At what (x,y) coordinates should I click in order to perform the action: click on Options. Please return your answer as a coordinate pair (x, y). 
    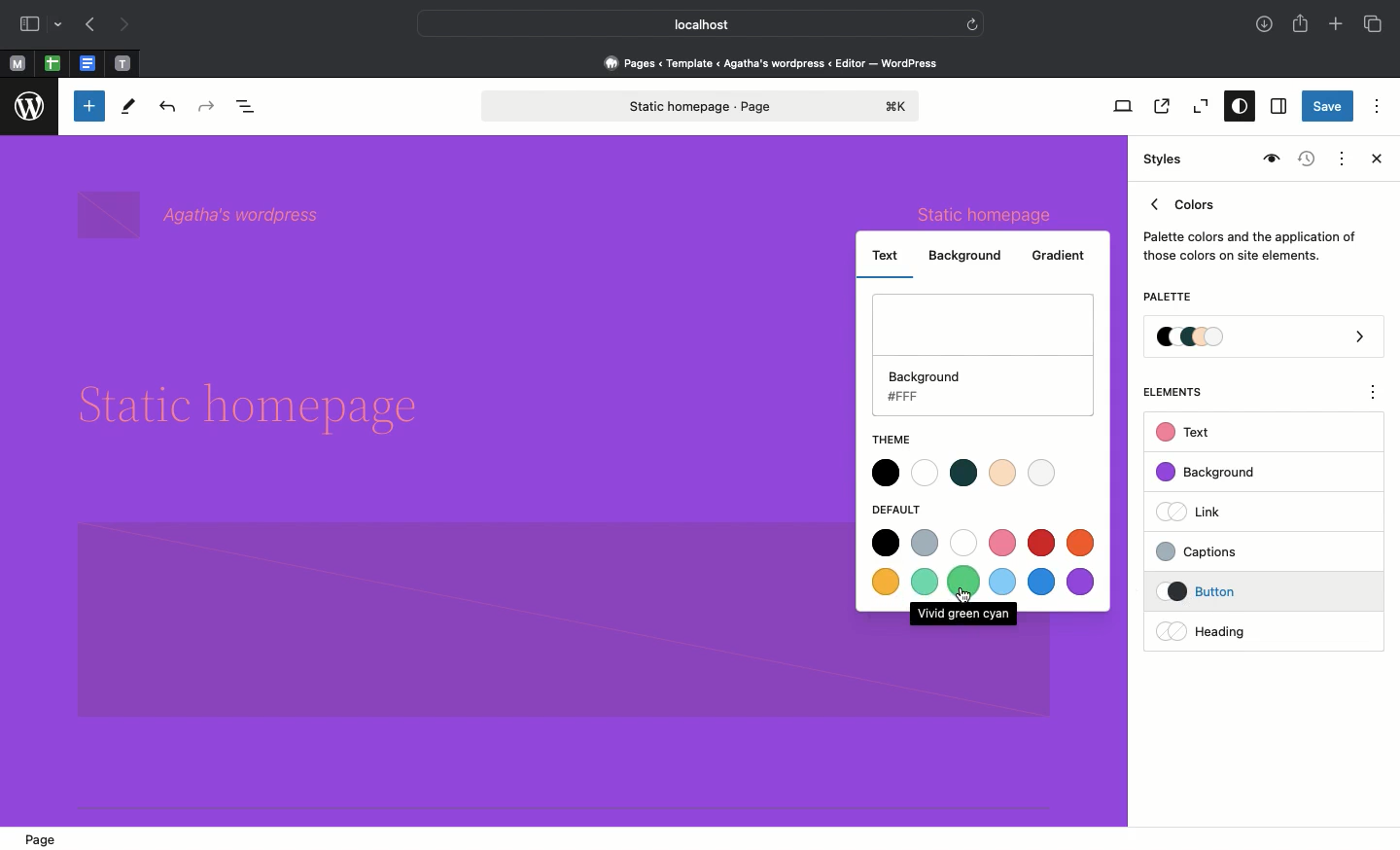
    Looking at the image, I should click on (1377, 105).